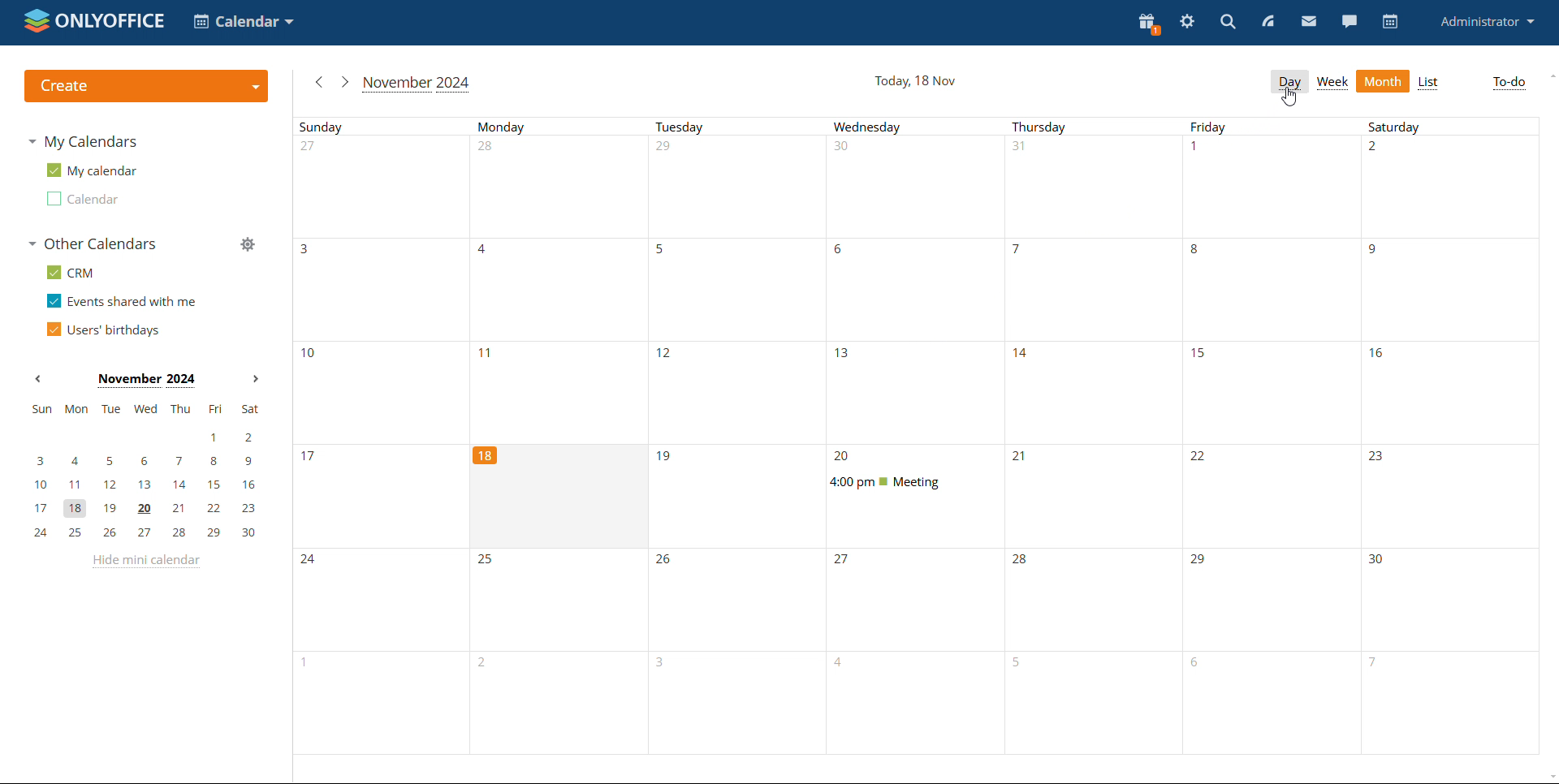  I want to click on current date, so click(914, 80).